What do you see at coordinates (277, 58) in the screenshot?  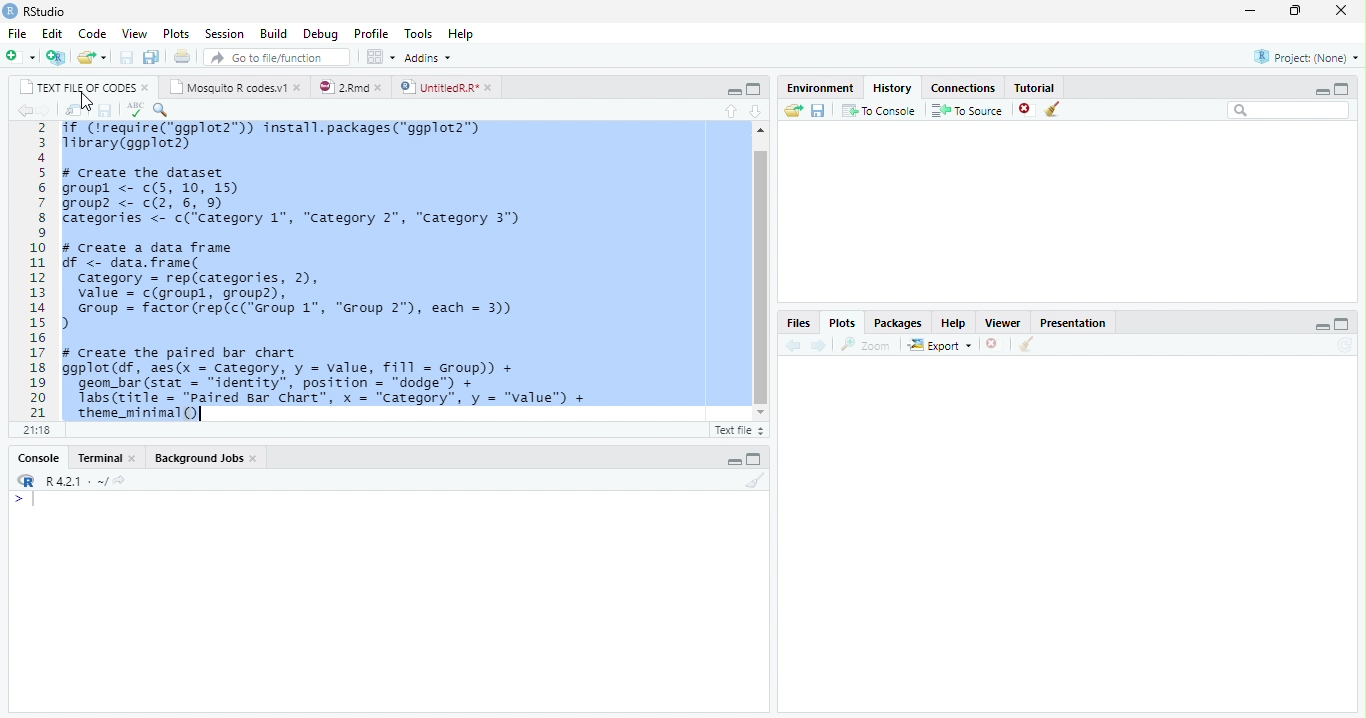 I see `go to file/function` at bounding box center [277, 58].